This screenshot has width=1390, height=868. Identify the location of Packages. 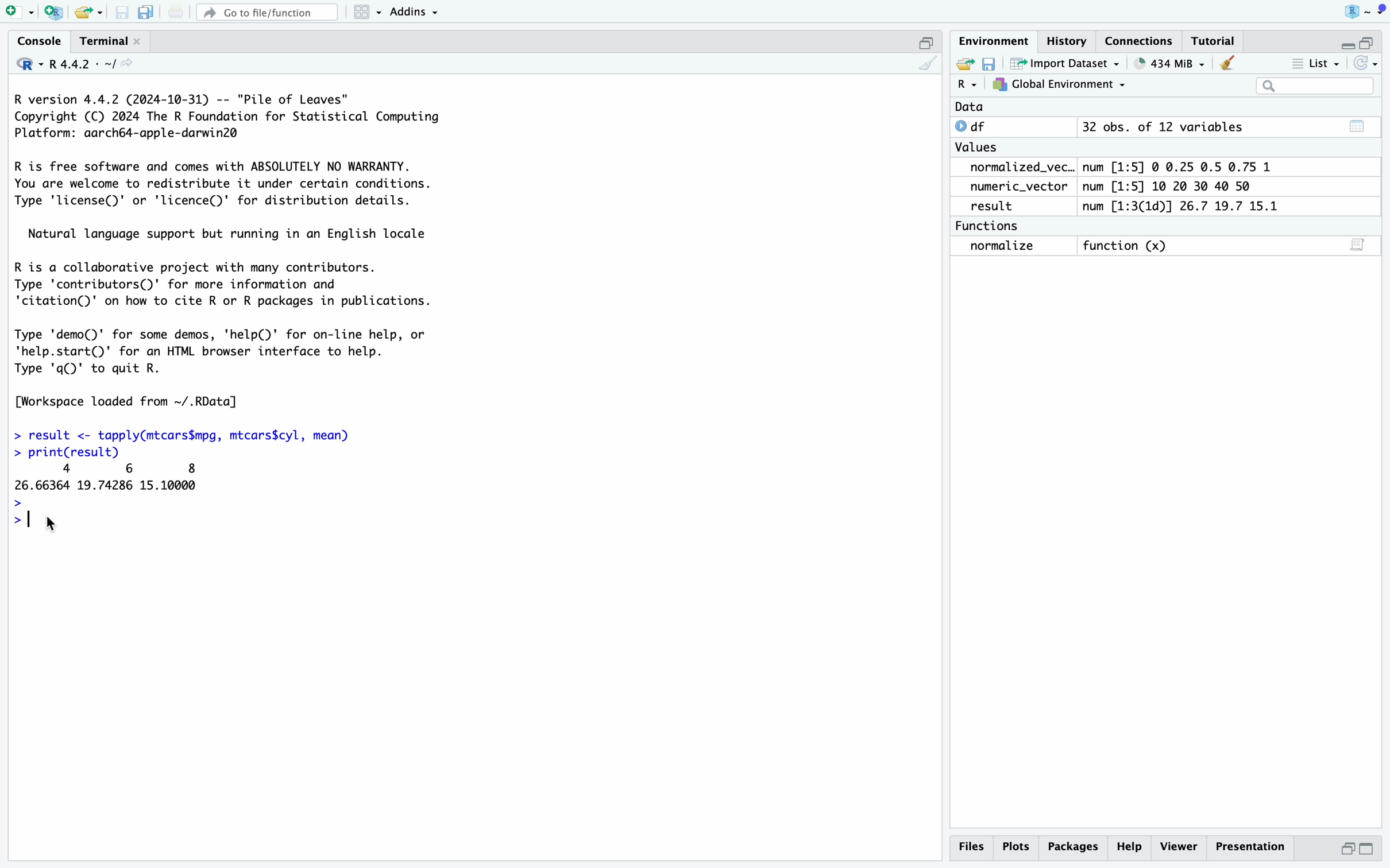
(1074, 847).